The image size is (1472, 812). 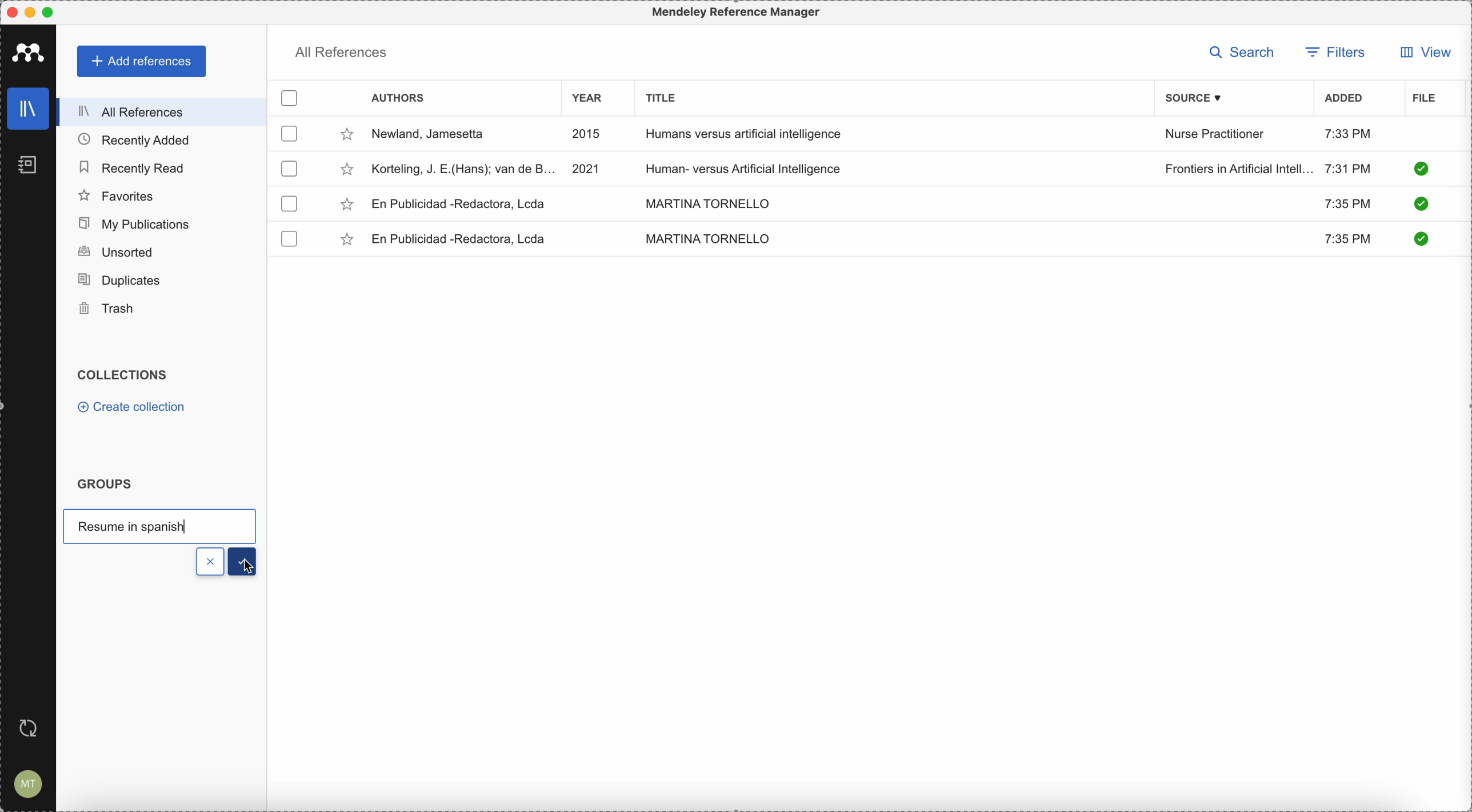 I want to click on source, so click(x=1202, y=98).